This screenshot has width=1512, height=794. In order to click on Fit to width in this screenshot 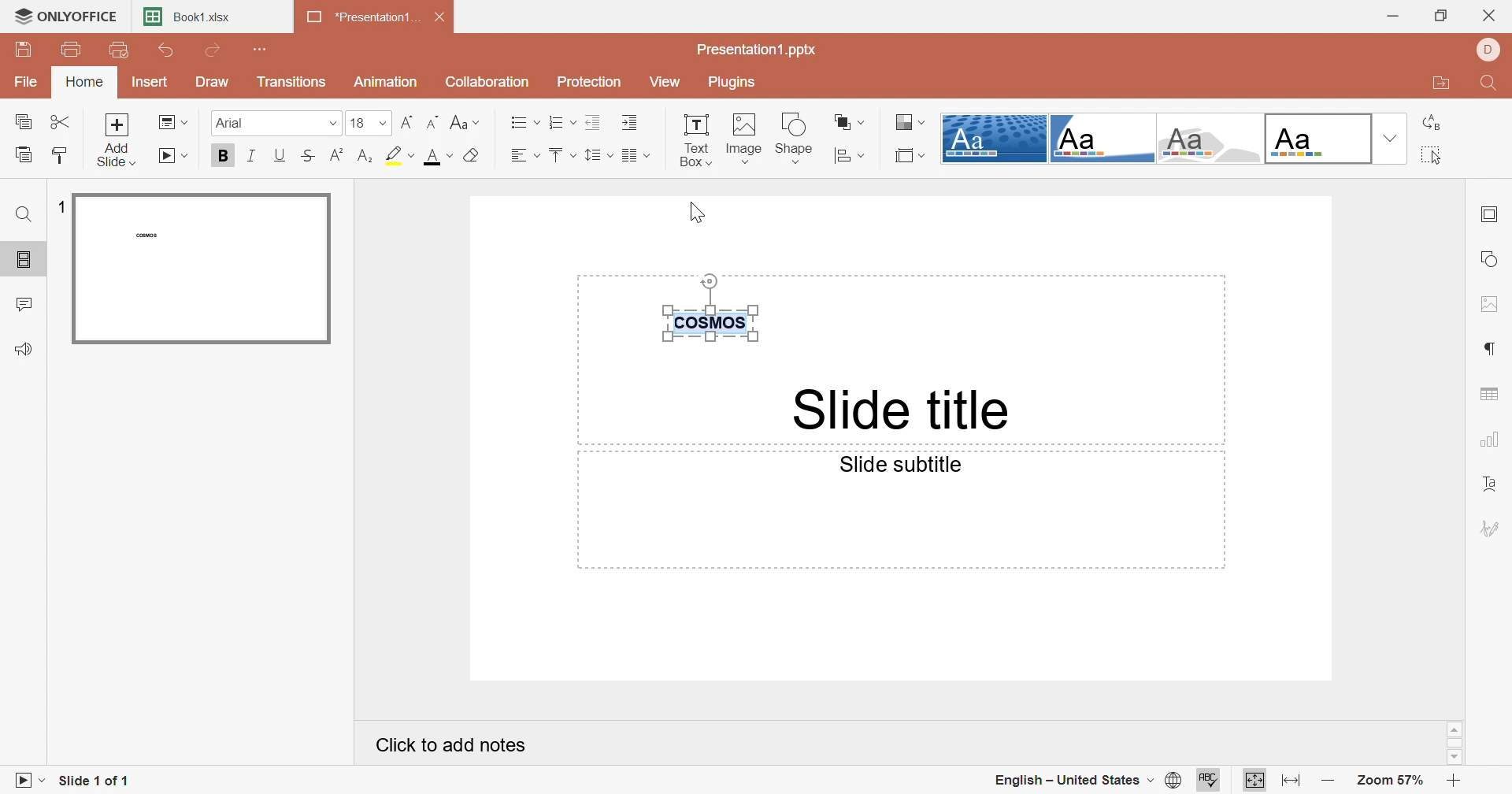, I will do `click(1290, 779)`.